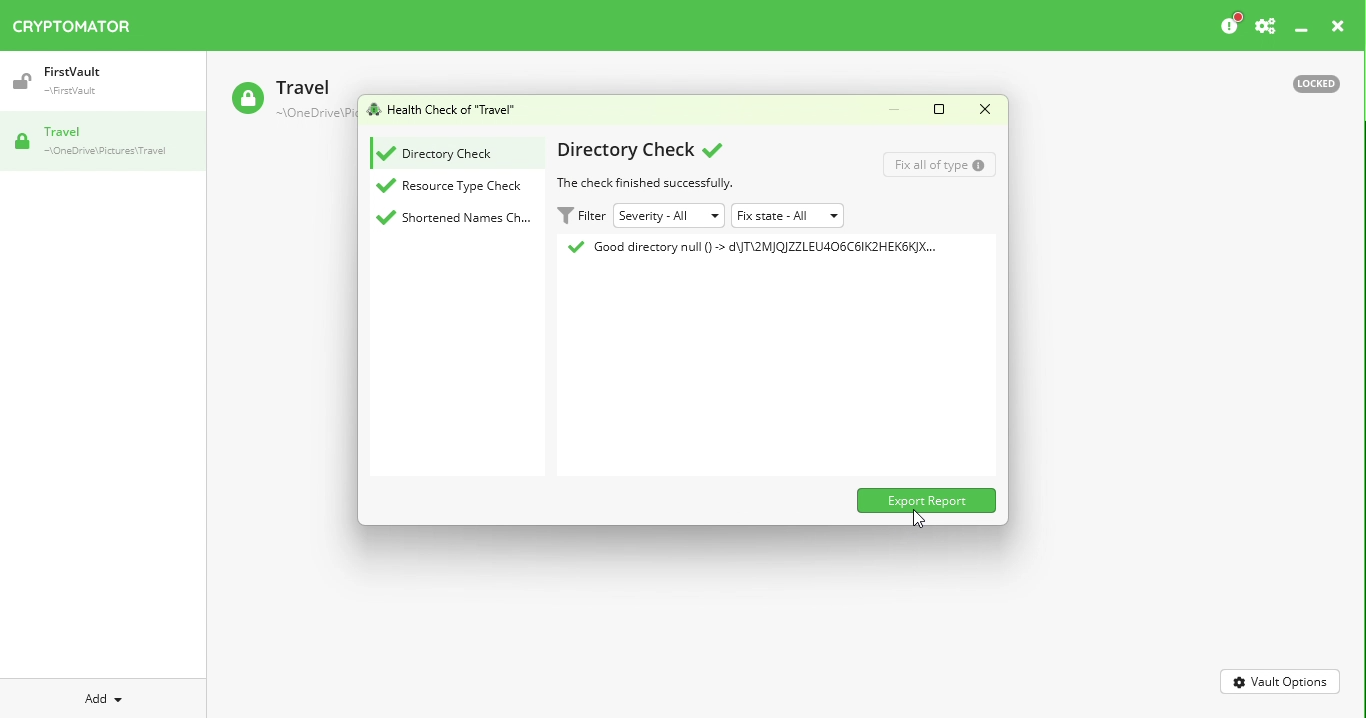 The width and height of the screenshot is (1366, 718). What do you see at coordinates (918, 519) in the screenshot?
I see `cursor` at bounding box center [918, 519].